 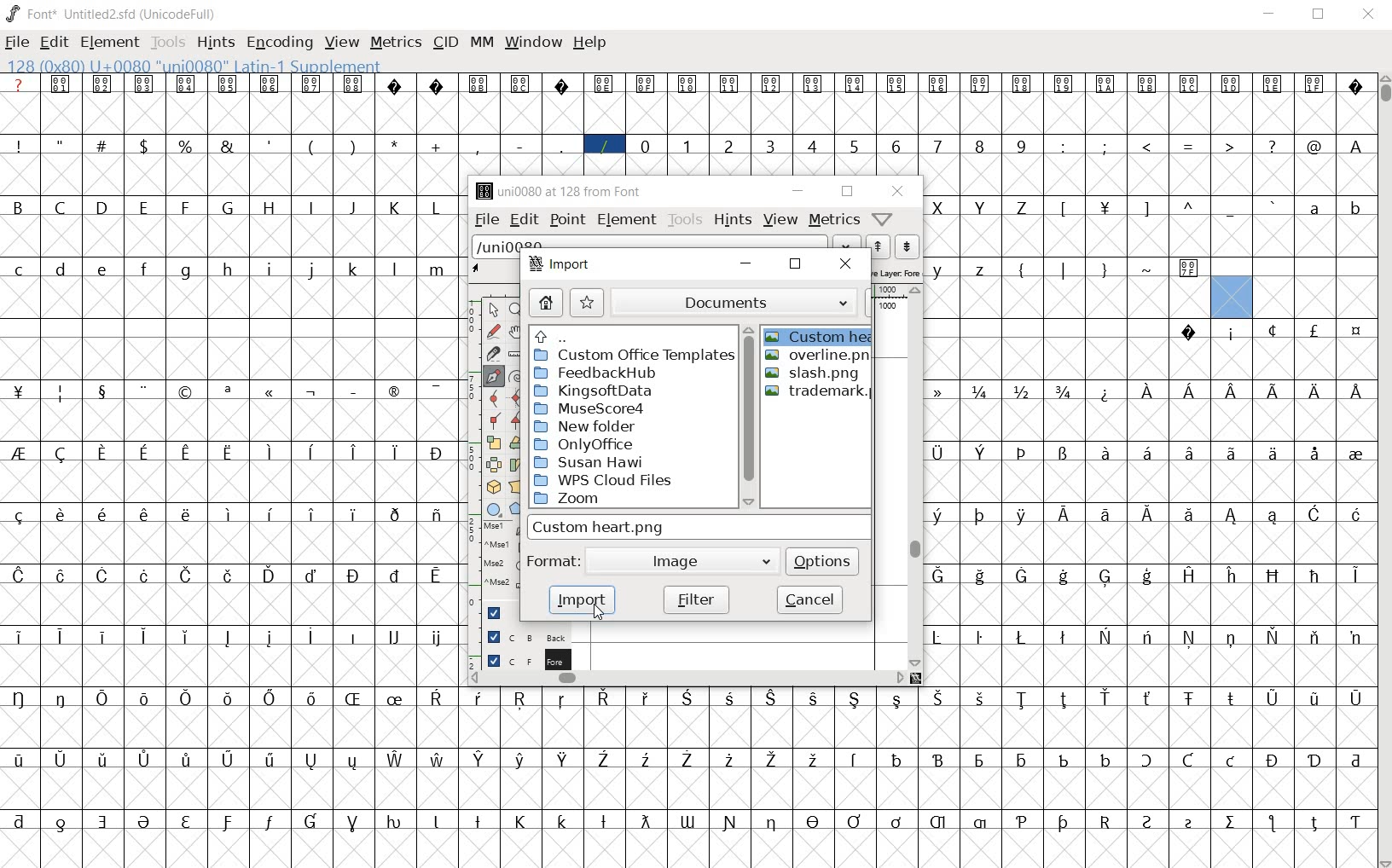 What do you see at coordinates (980, 516) in the screenshot?
I see `glyph` at bounding box center [980, 516].